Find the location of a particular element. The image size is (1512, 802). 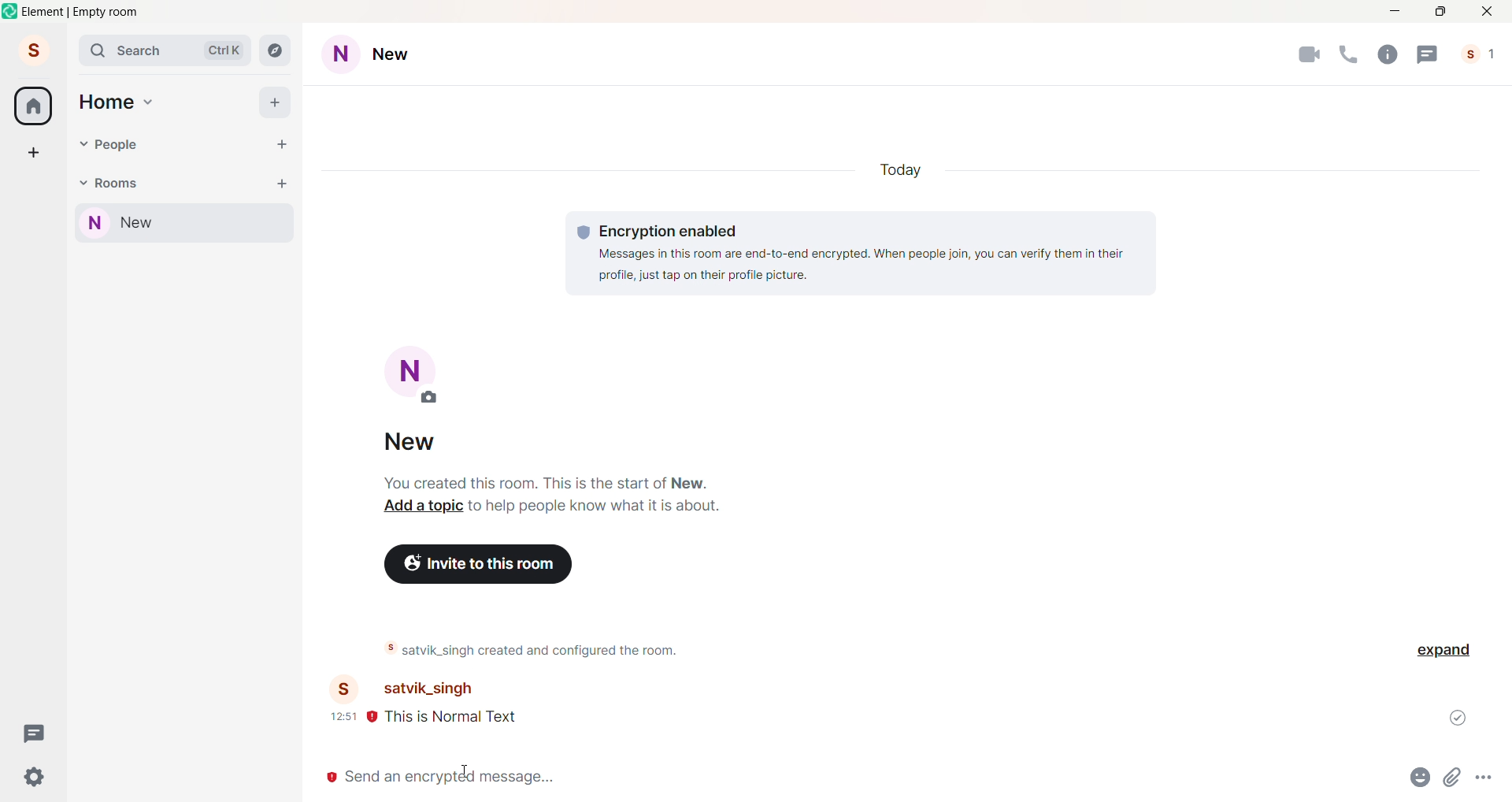

Room Drop down is located at coordinates (83, 184).